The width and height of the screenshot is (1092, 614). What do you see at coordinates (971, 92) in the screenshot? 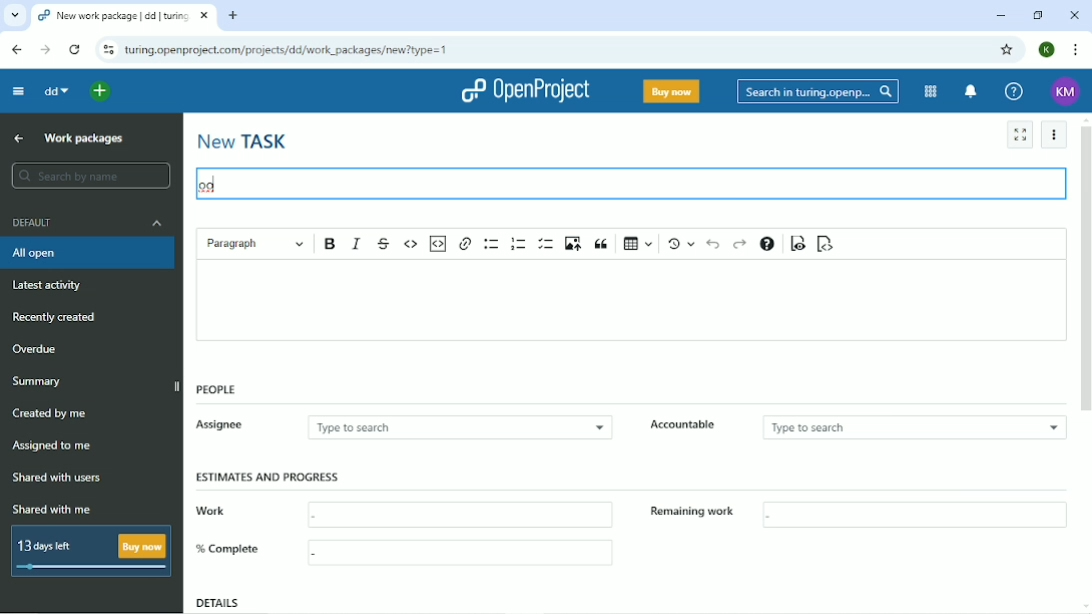
I see `To notification center` at bounding box center [971, 92].